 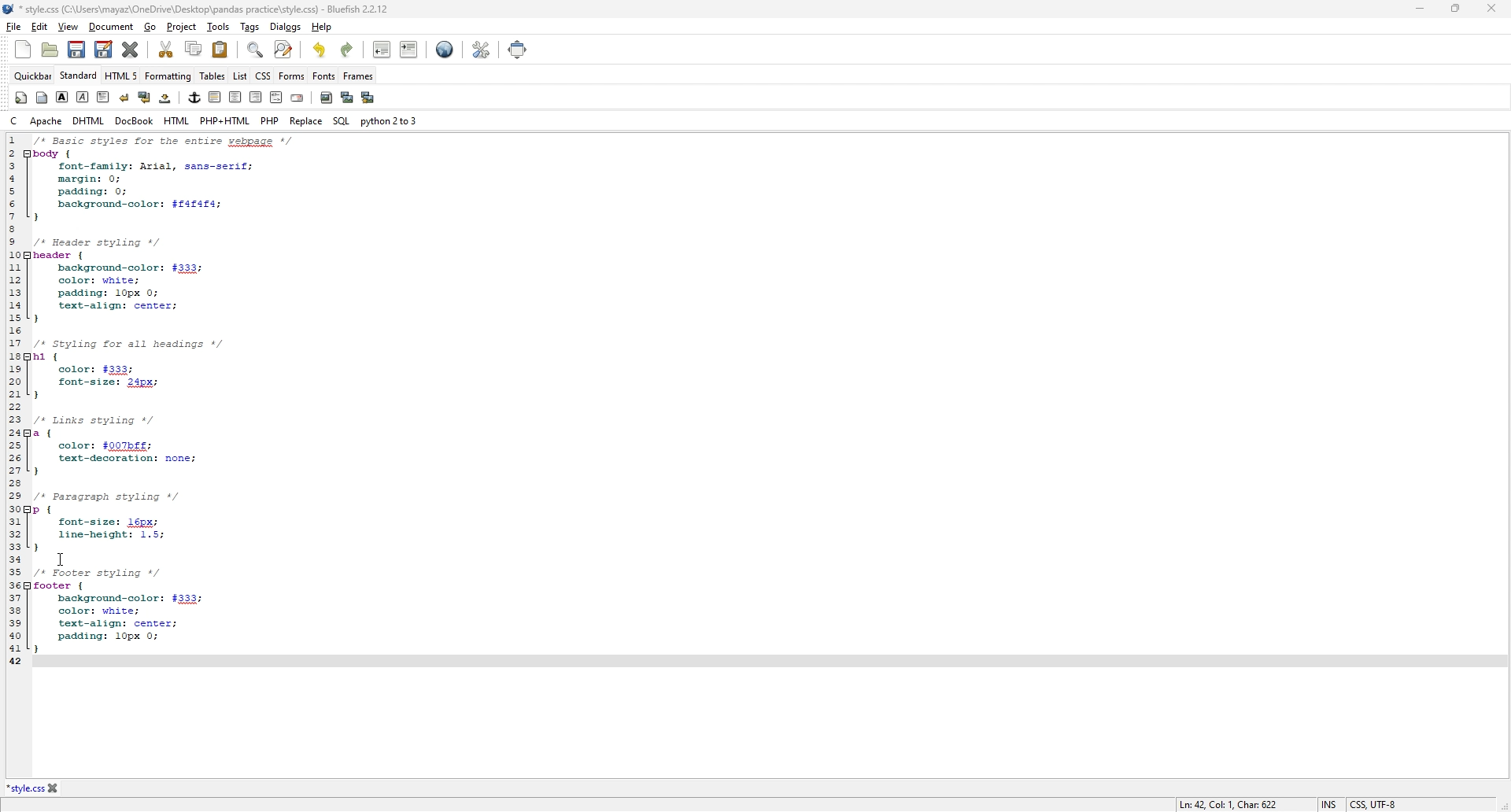 What do you see at coordinates (104, 98) in the screenshot?
I see `paragraph` at bounding box center [104, 98].